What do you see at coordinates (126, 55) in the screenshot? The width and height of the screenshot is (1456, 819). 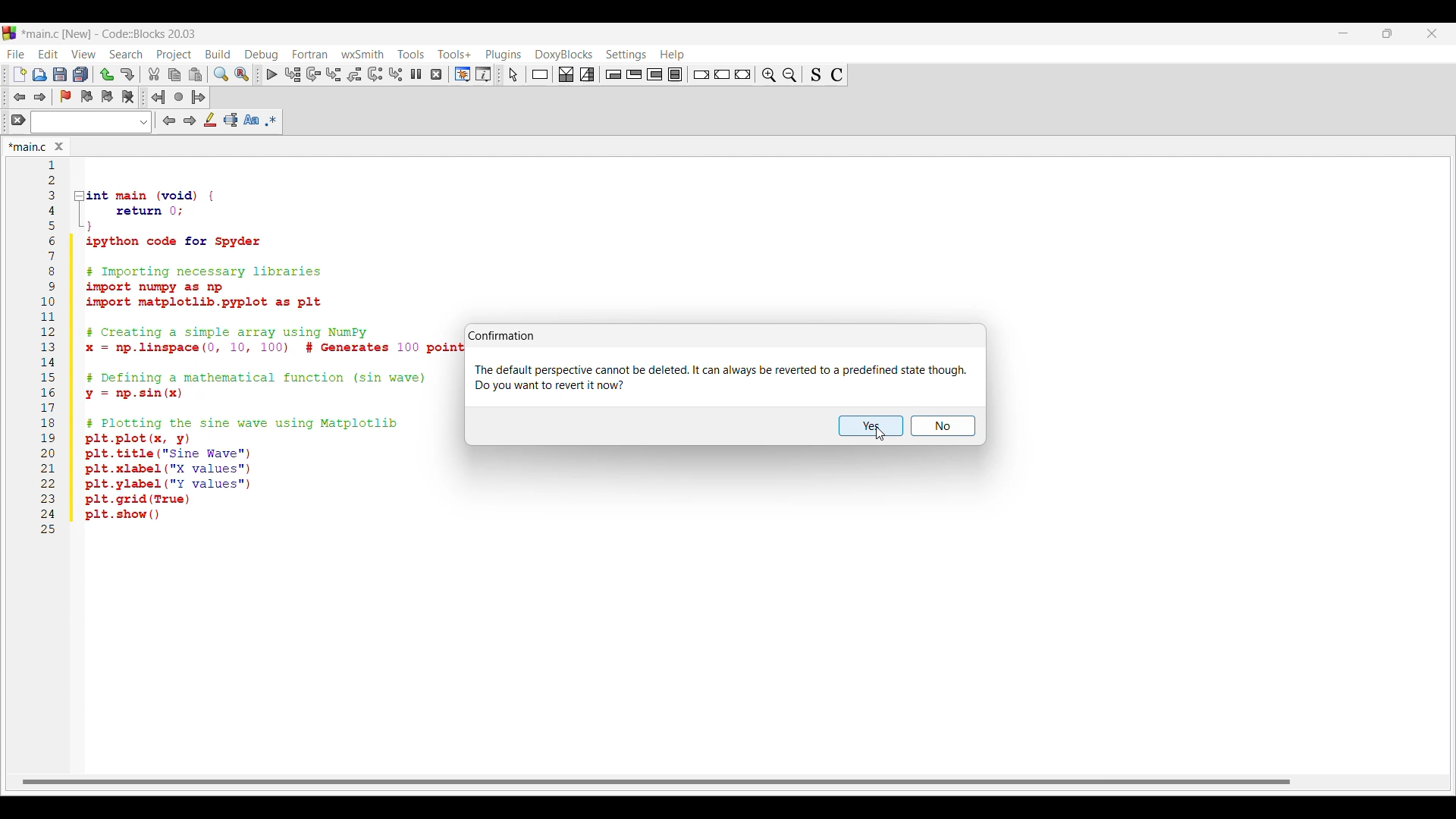 I see `Search menu` at bounding box center [126, 55].